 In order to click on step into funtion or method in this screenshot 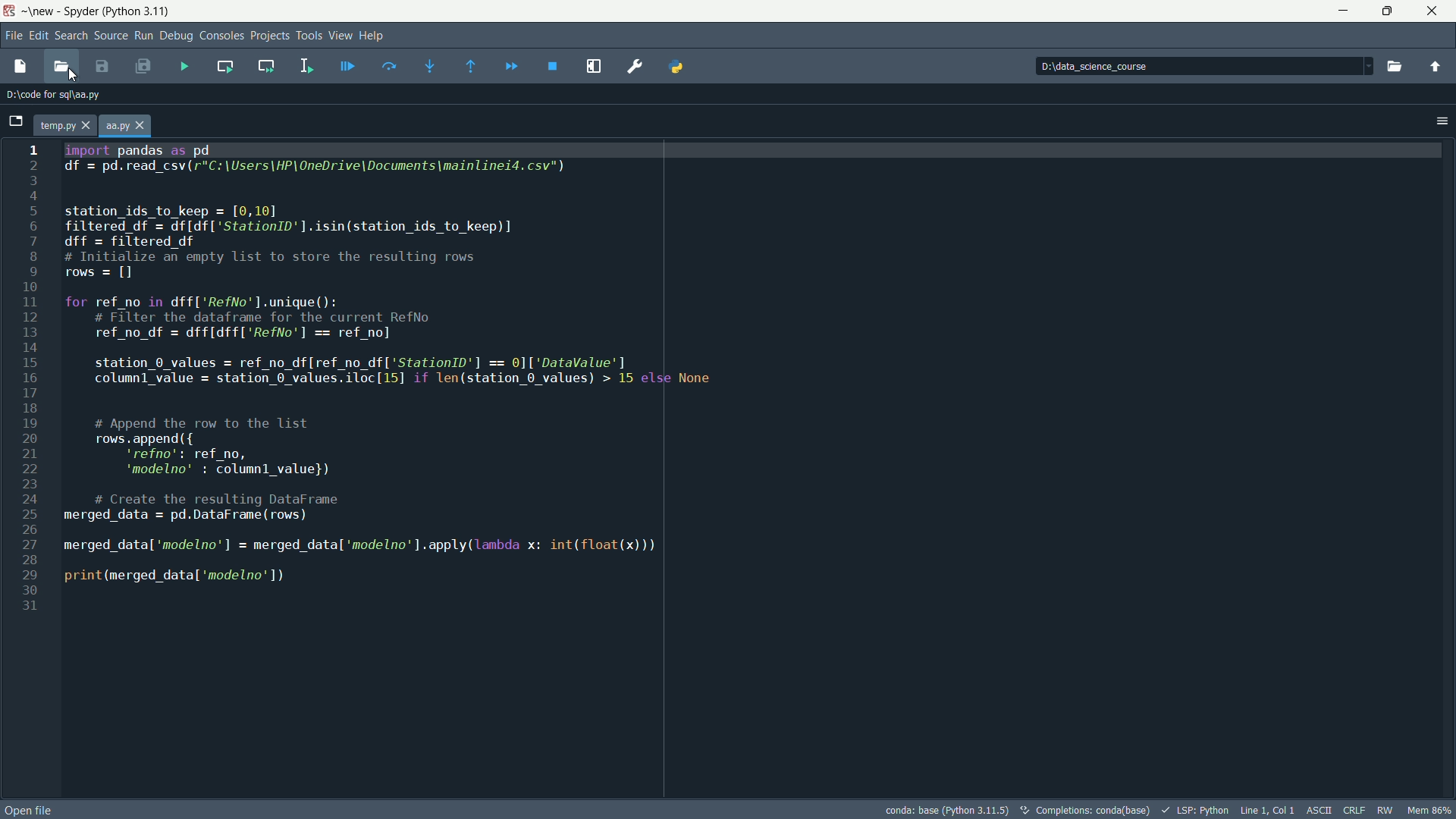, I will do `click(430, 66)`.